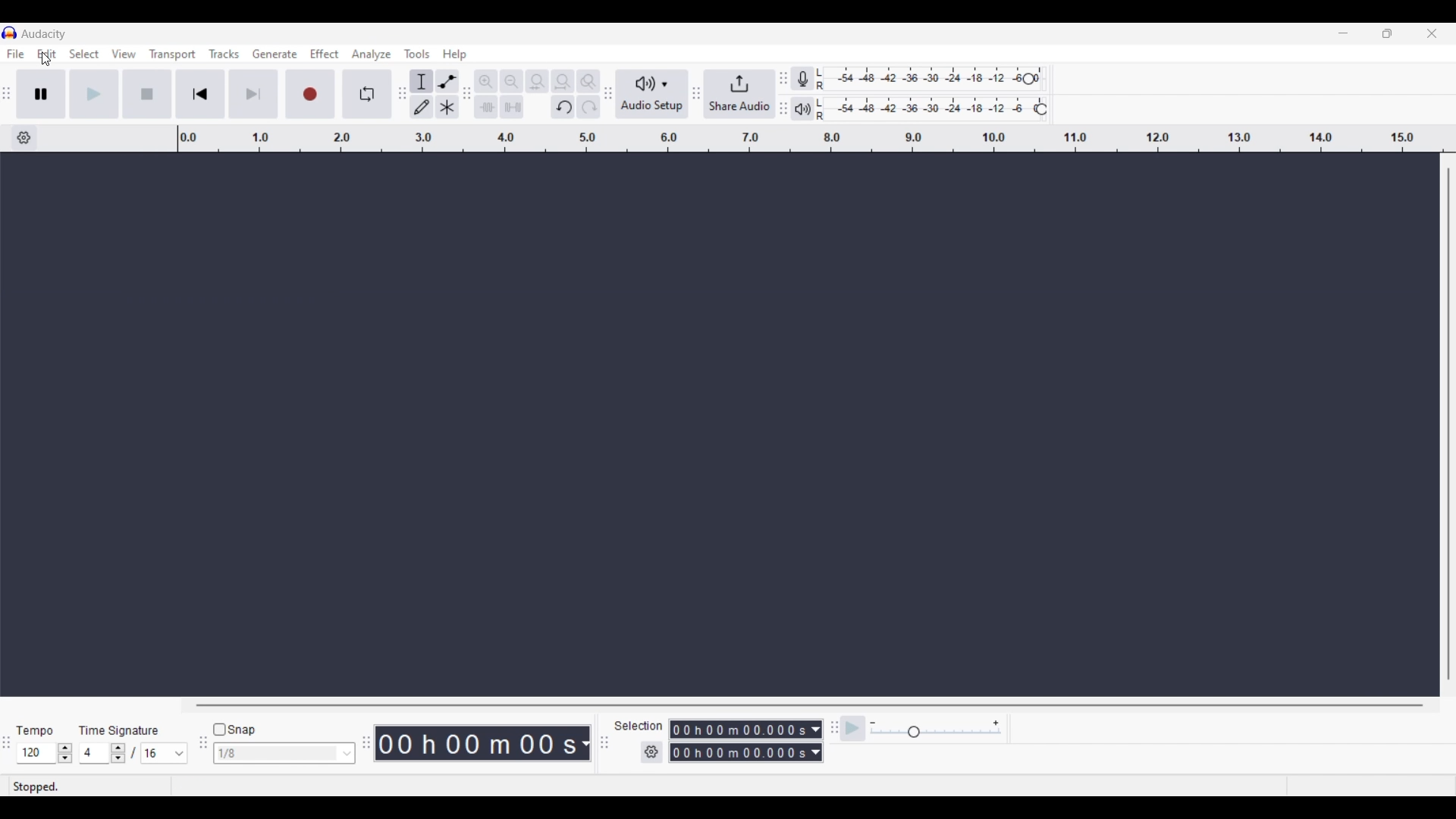 Image resolution: width=1456 pixels, height=819 pixels. I want to click on Zoom out, so click(511, 81).